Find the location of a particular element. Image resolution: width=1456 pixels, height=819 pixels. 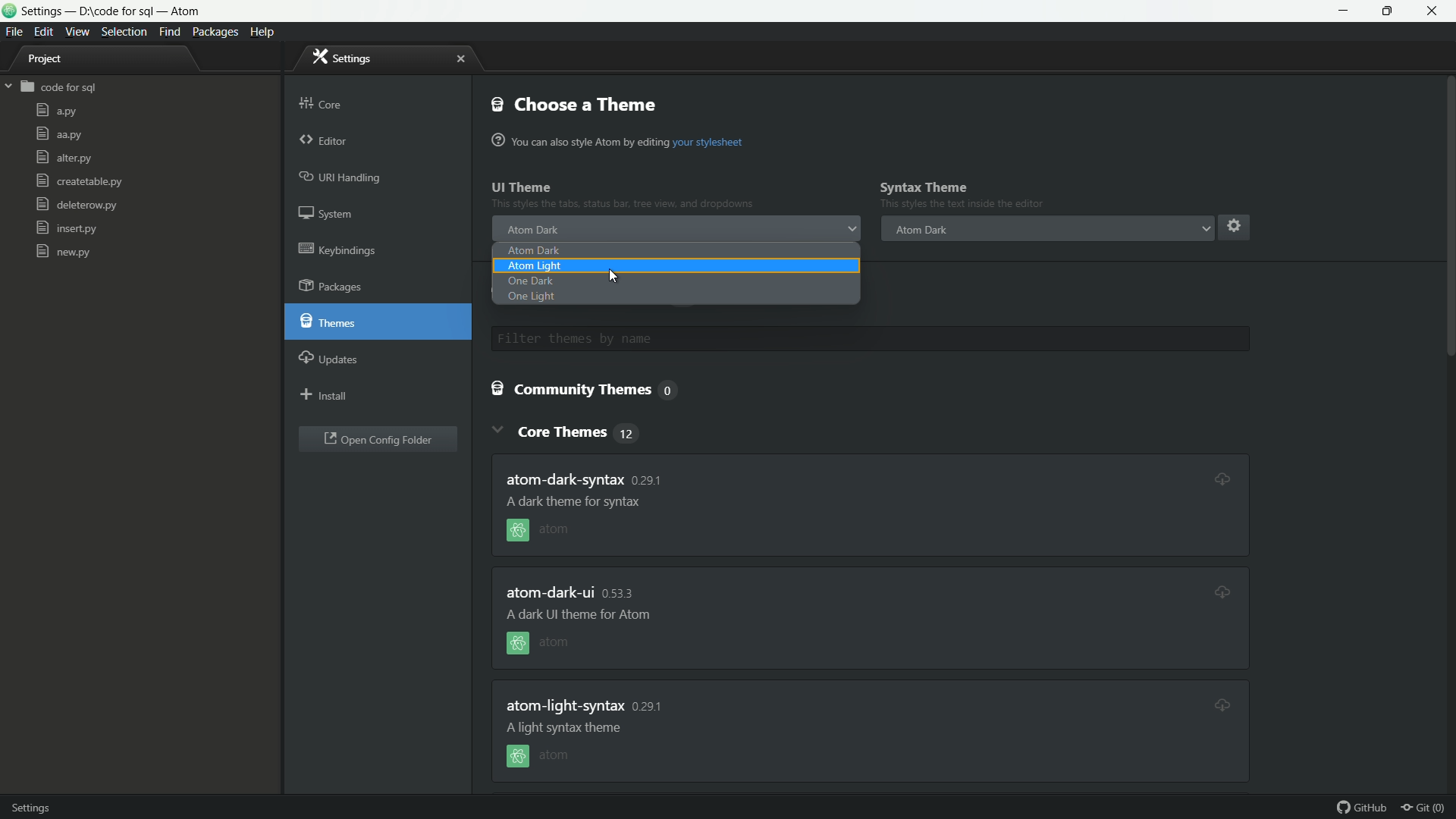

install is located at coordinates (325, 397).